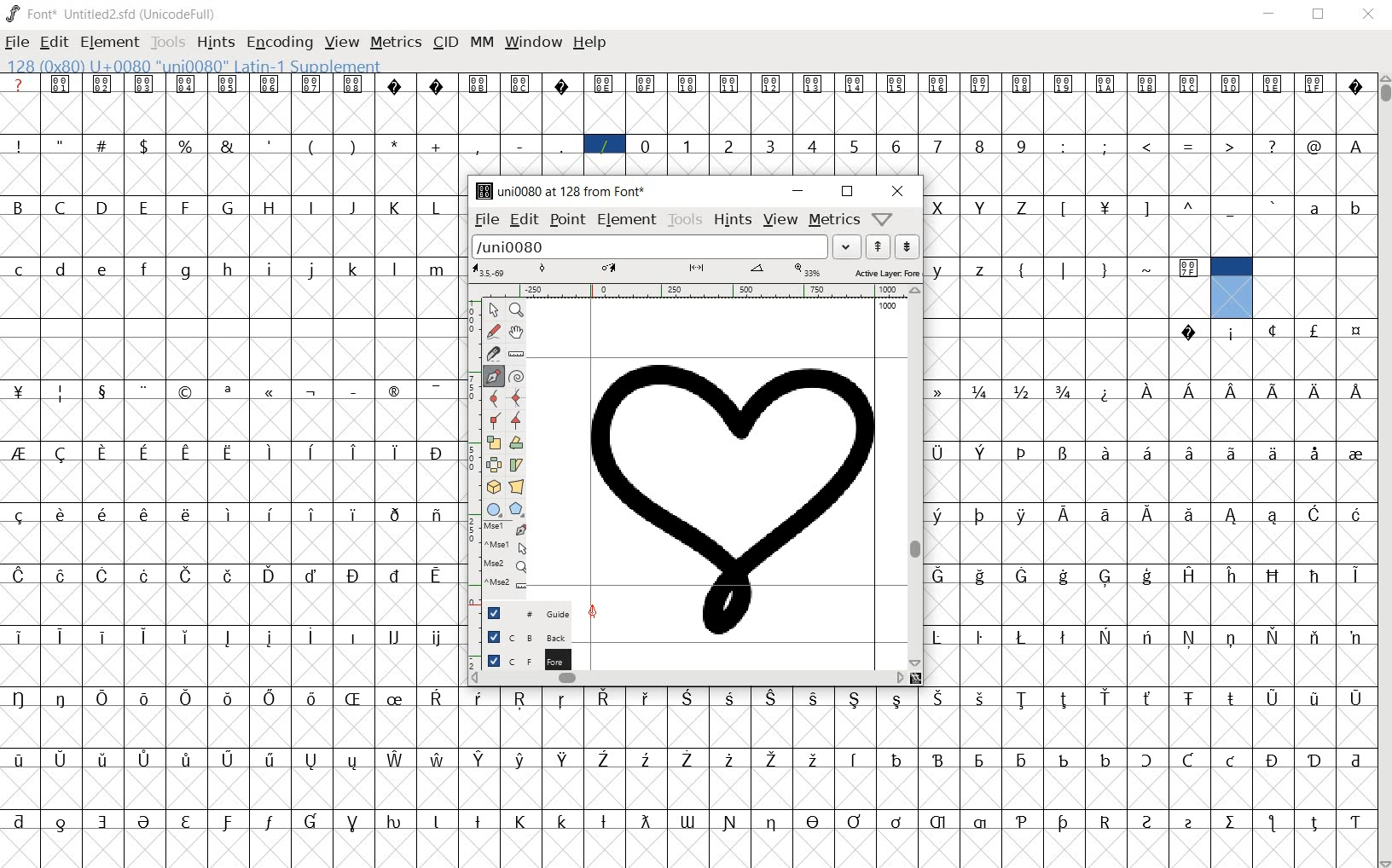 The image size is (1392, 868). Describe the element at coordinates (143, 822) in the screenshot. I see `glyph` at that location.